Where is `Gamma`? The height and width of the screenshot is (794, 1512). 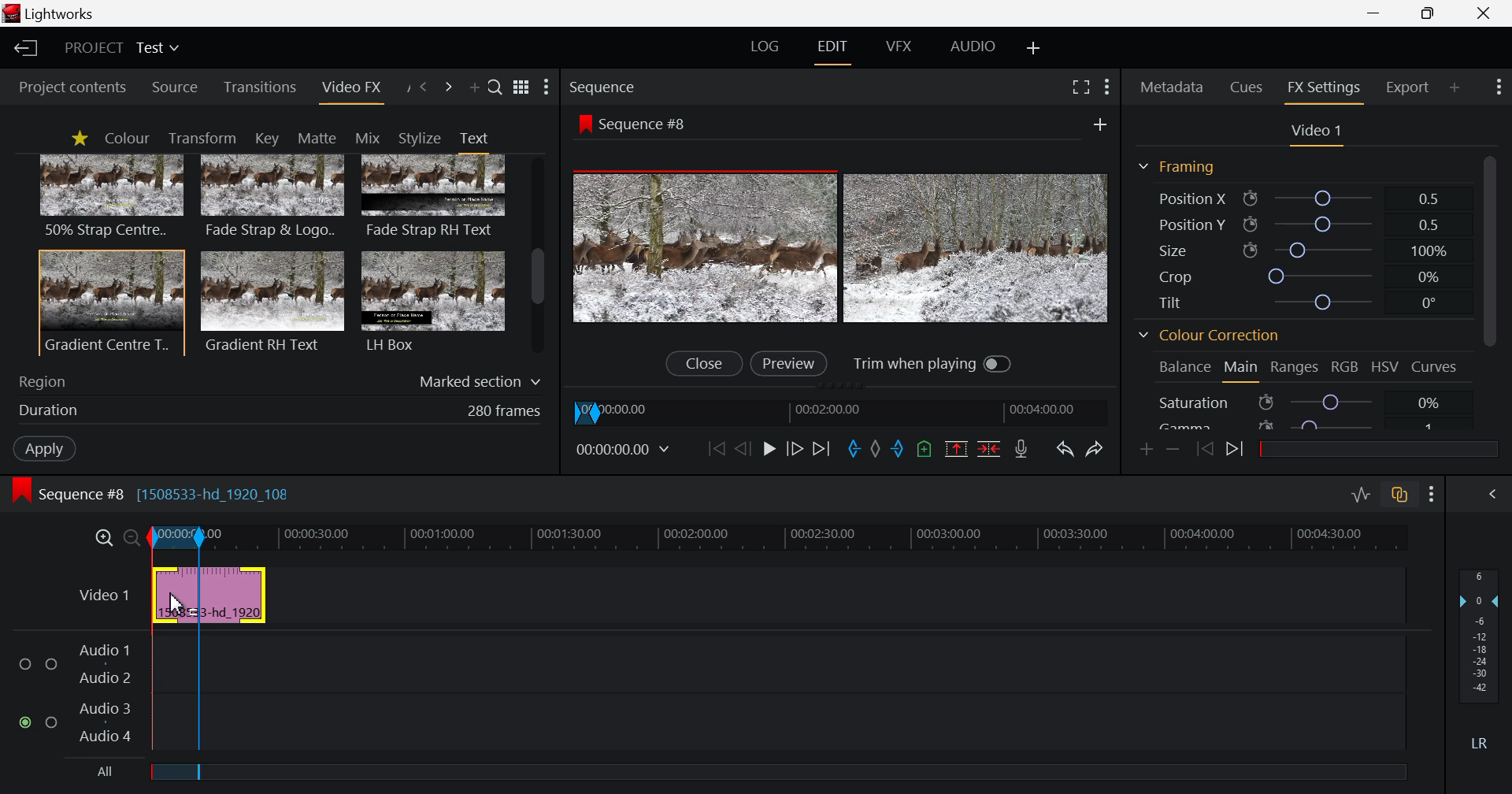
Gamma is located at coordinates (1298, 423).